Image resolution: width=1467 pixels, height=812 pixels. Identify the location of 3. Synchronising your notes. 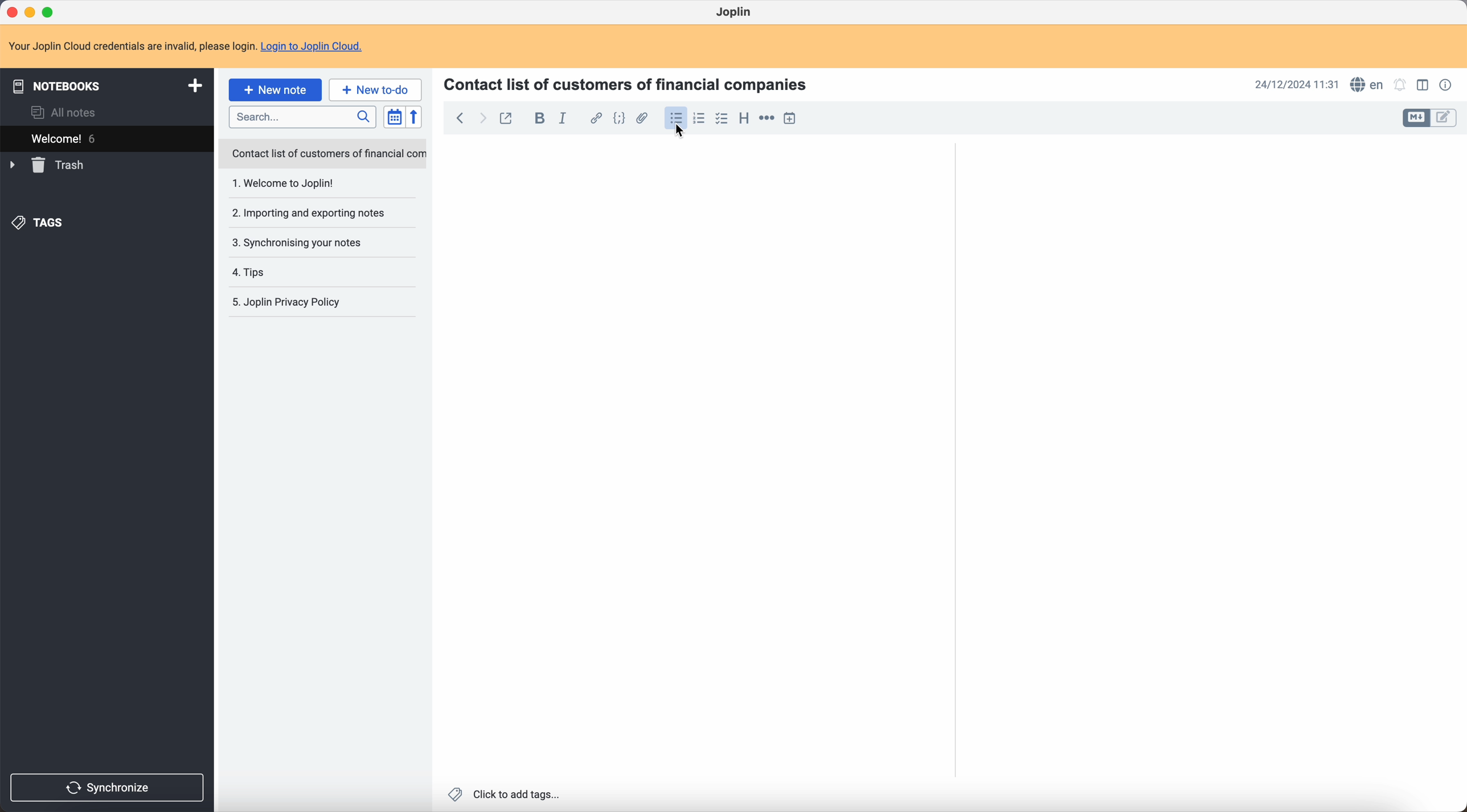
(301, 242).